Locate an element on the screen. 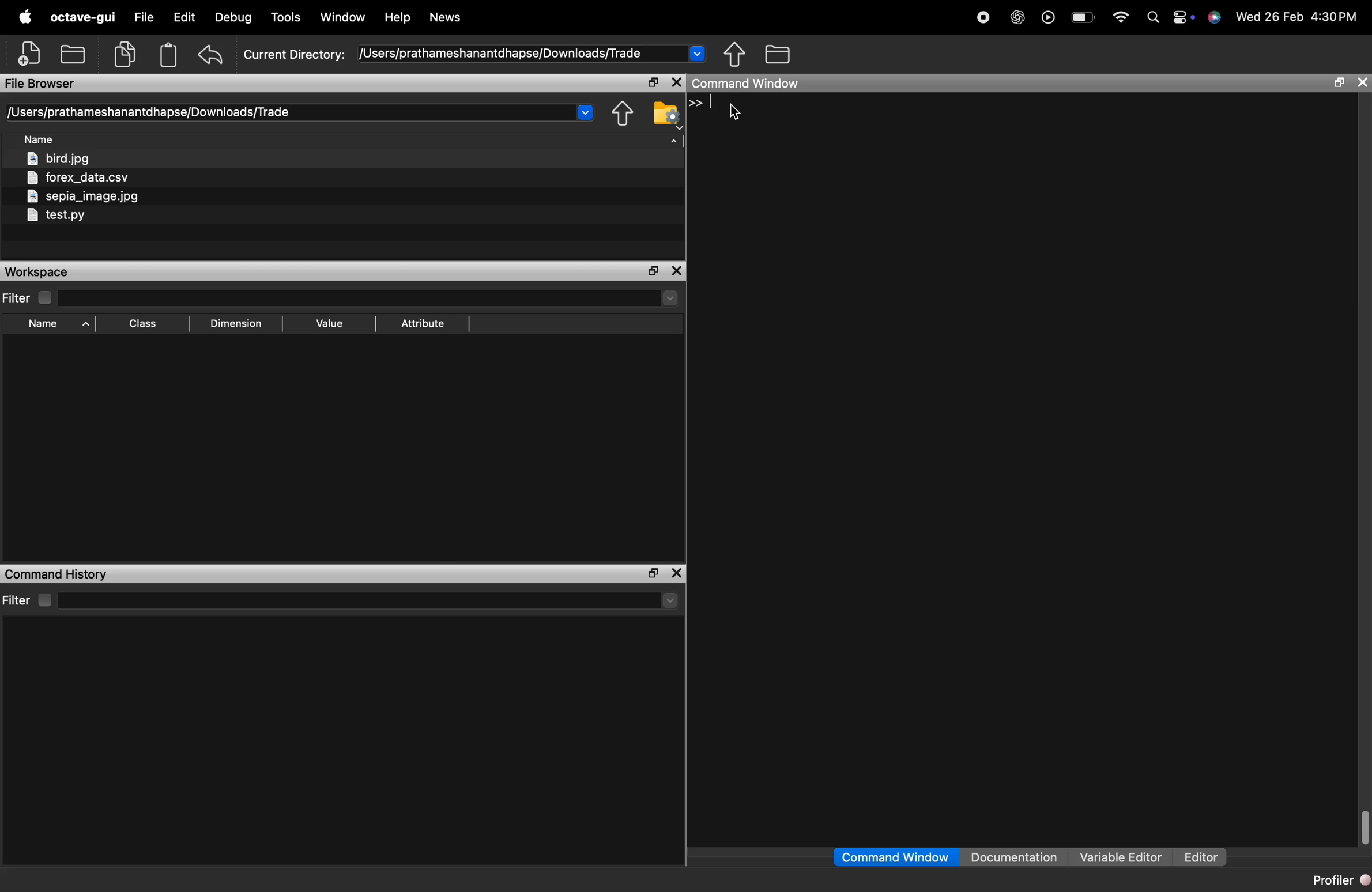  debug is located at coordinates (235, 18).